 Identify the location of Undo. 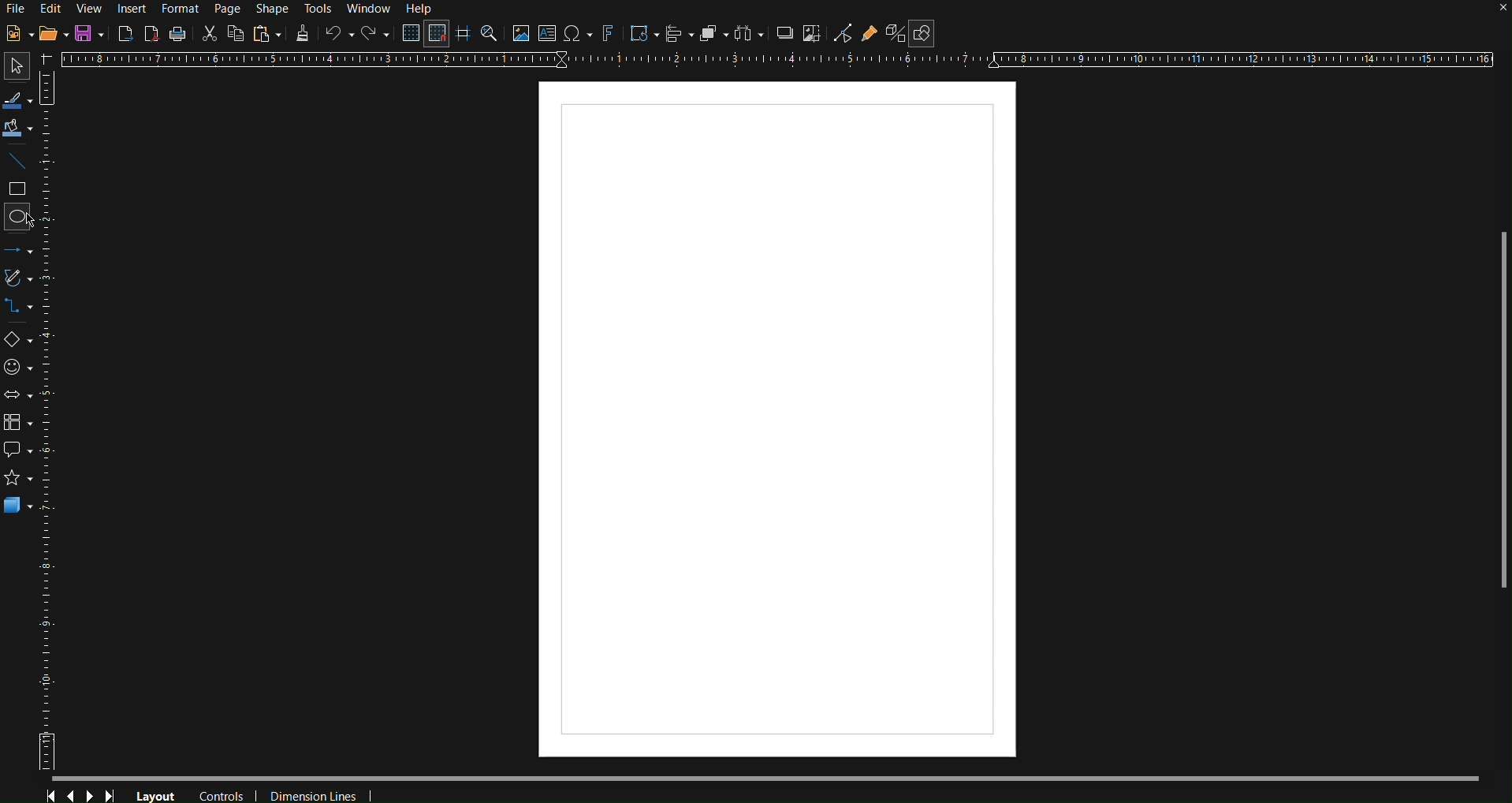
(339, 35).